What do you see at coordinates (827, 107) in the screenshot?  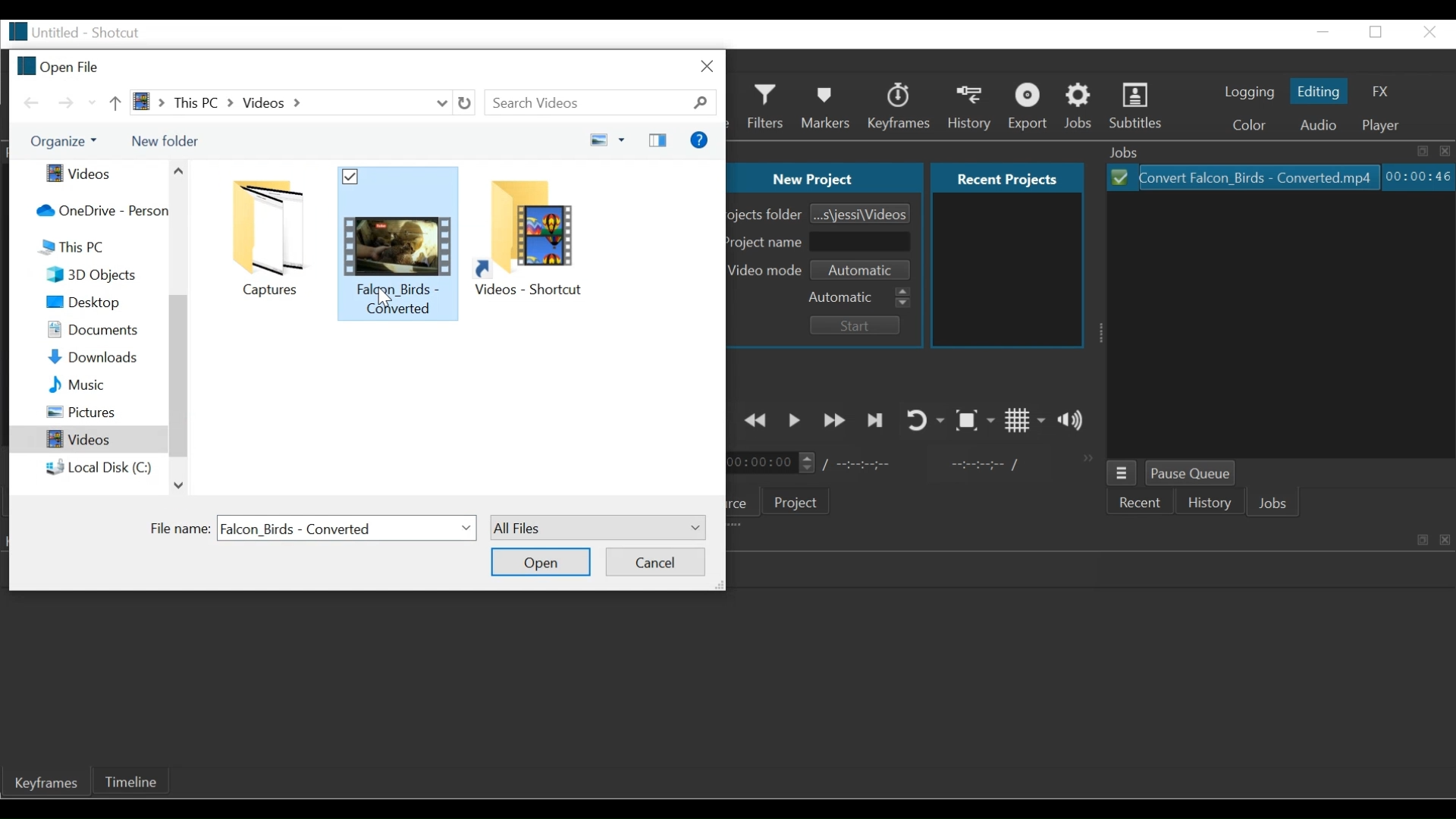 I see `Markers` at bounding box center [827, 107].